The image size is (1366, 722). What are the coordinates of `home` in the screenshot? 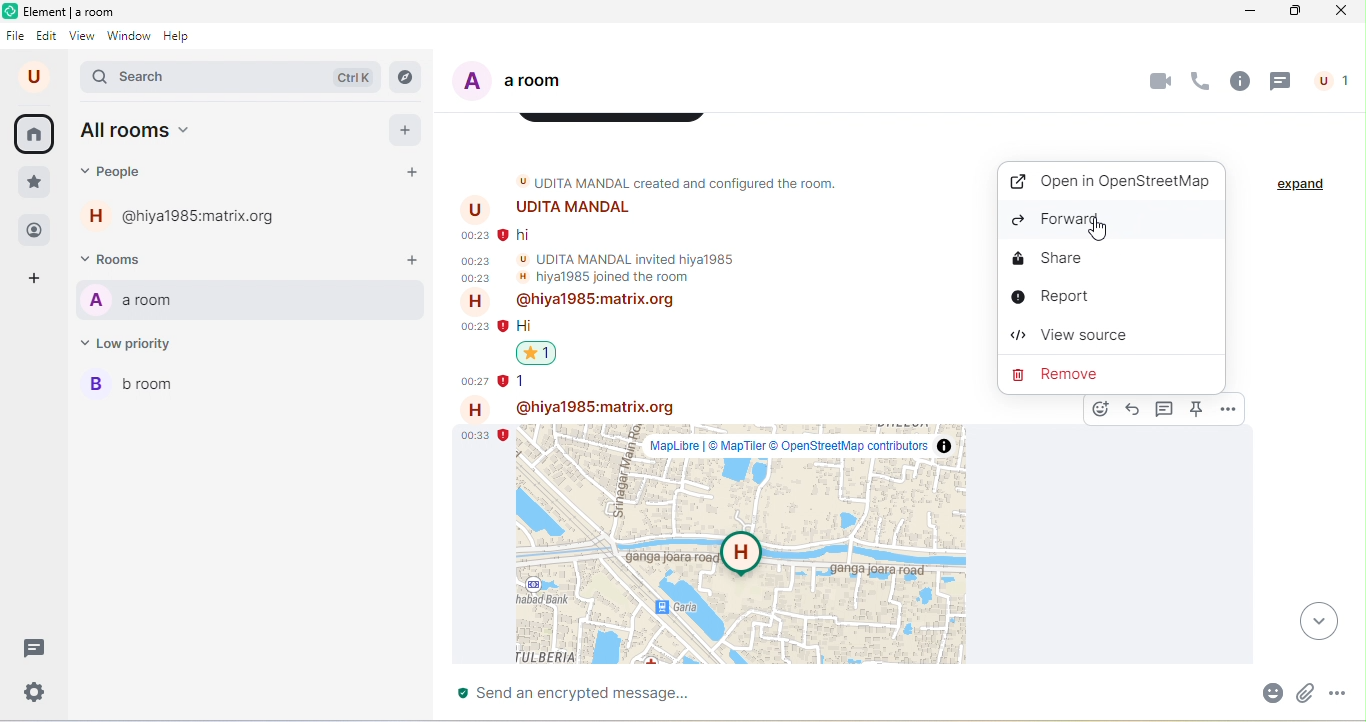 It's located at (34, 134).